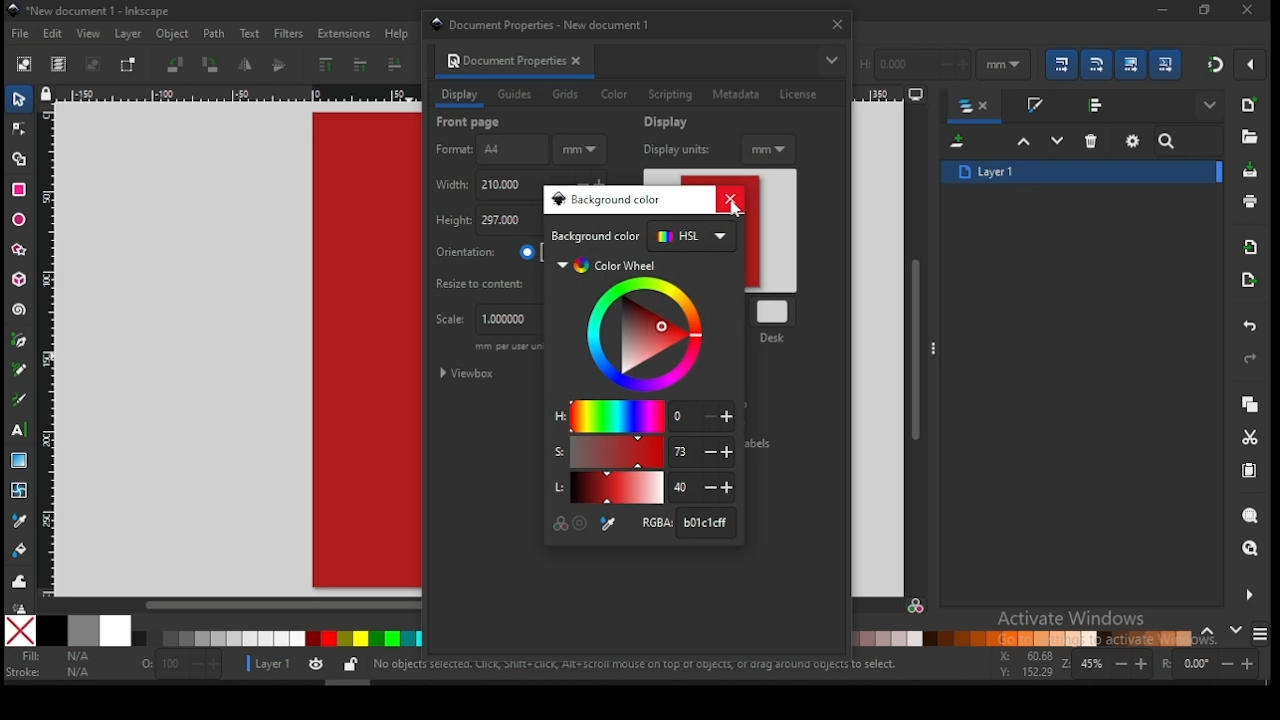 This screenshot has height=720, width=1280. Describe the element at coordinates (1250, 360) in the screenshot. I see `redo` at that location.